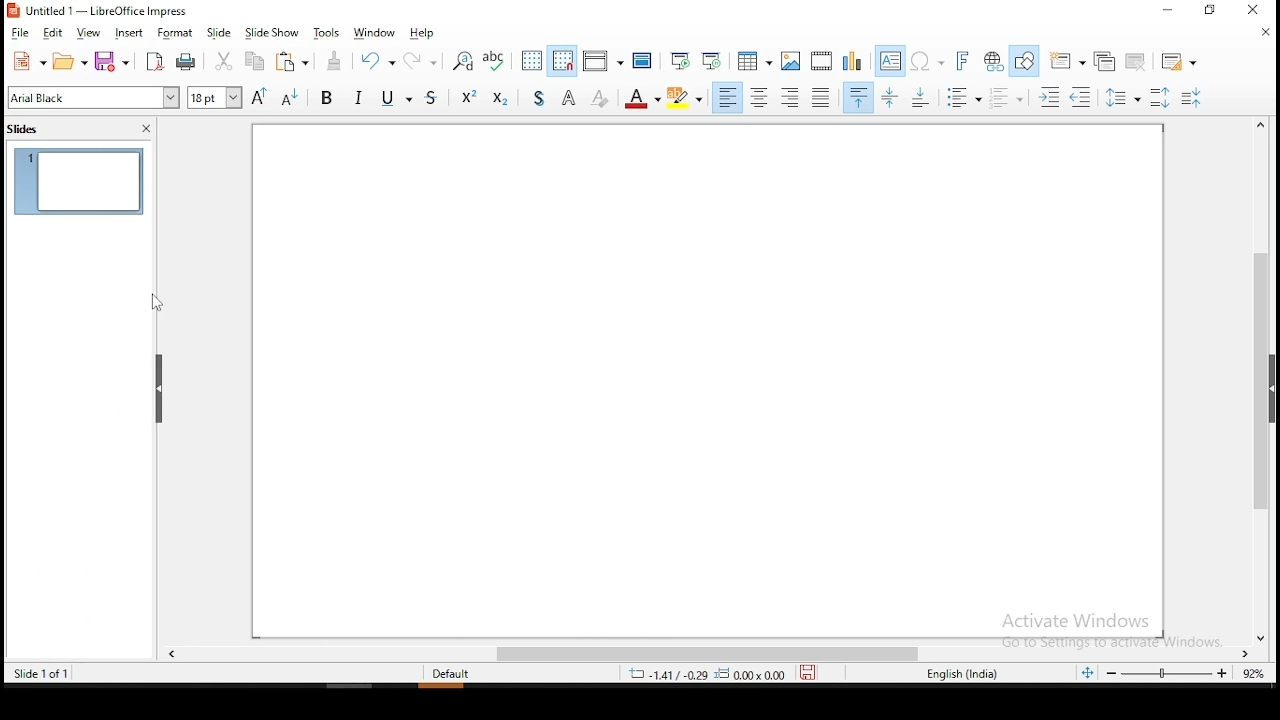  I want to click on display grid, so click(532, 59).